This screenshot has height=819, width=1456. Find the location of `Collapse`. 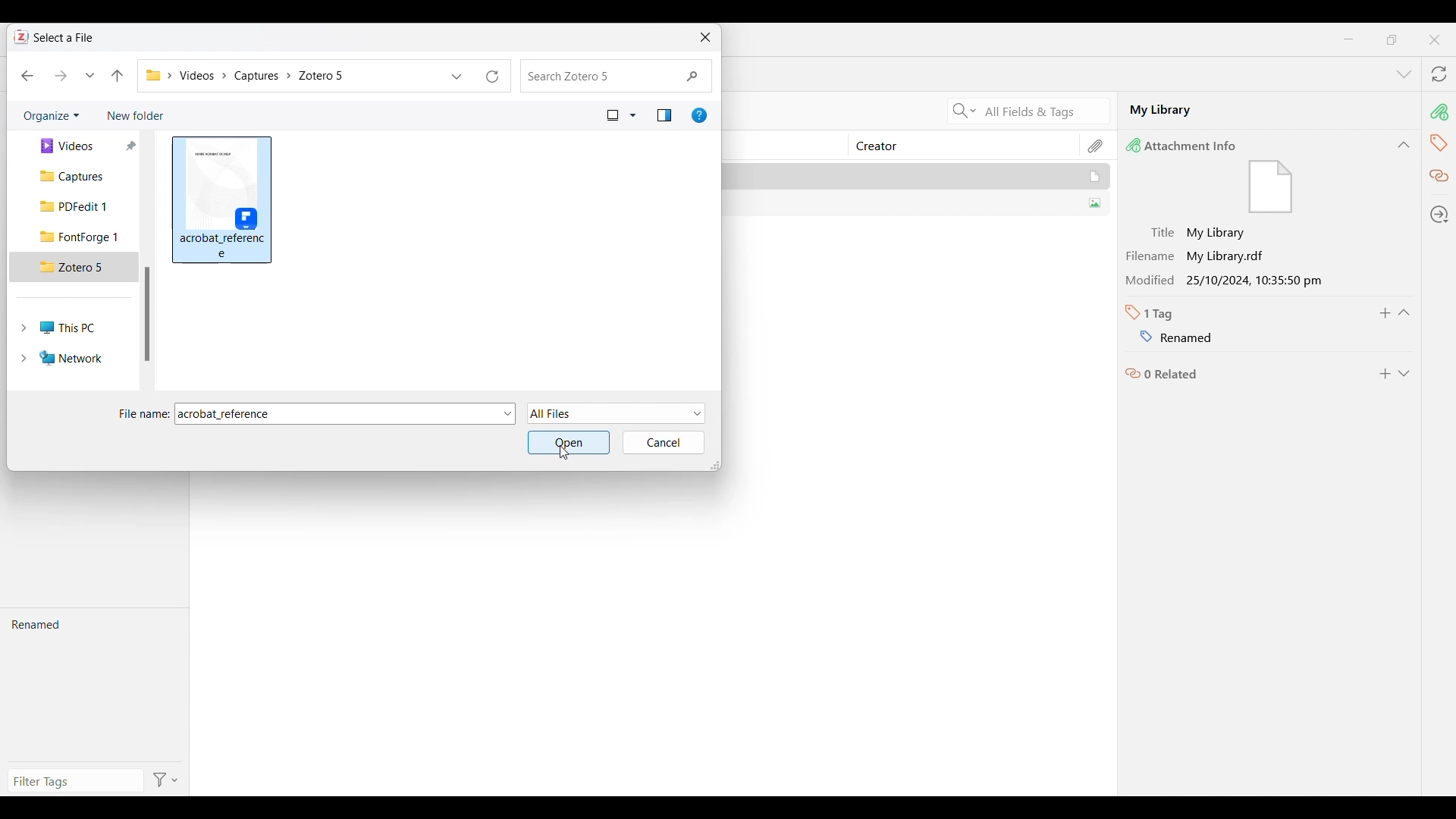

Collapse is located at coordinates (1404, 145).